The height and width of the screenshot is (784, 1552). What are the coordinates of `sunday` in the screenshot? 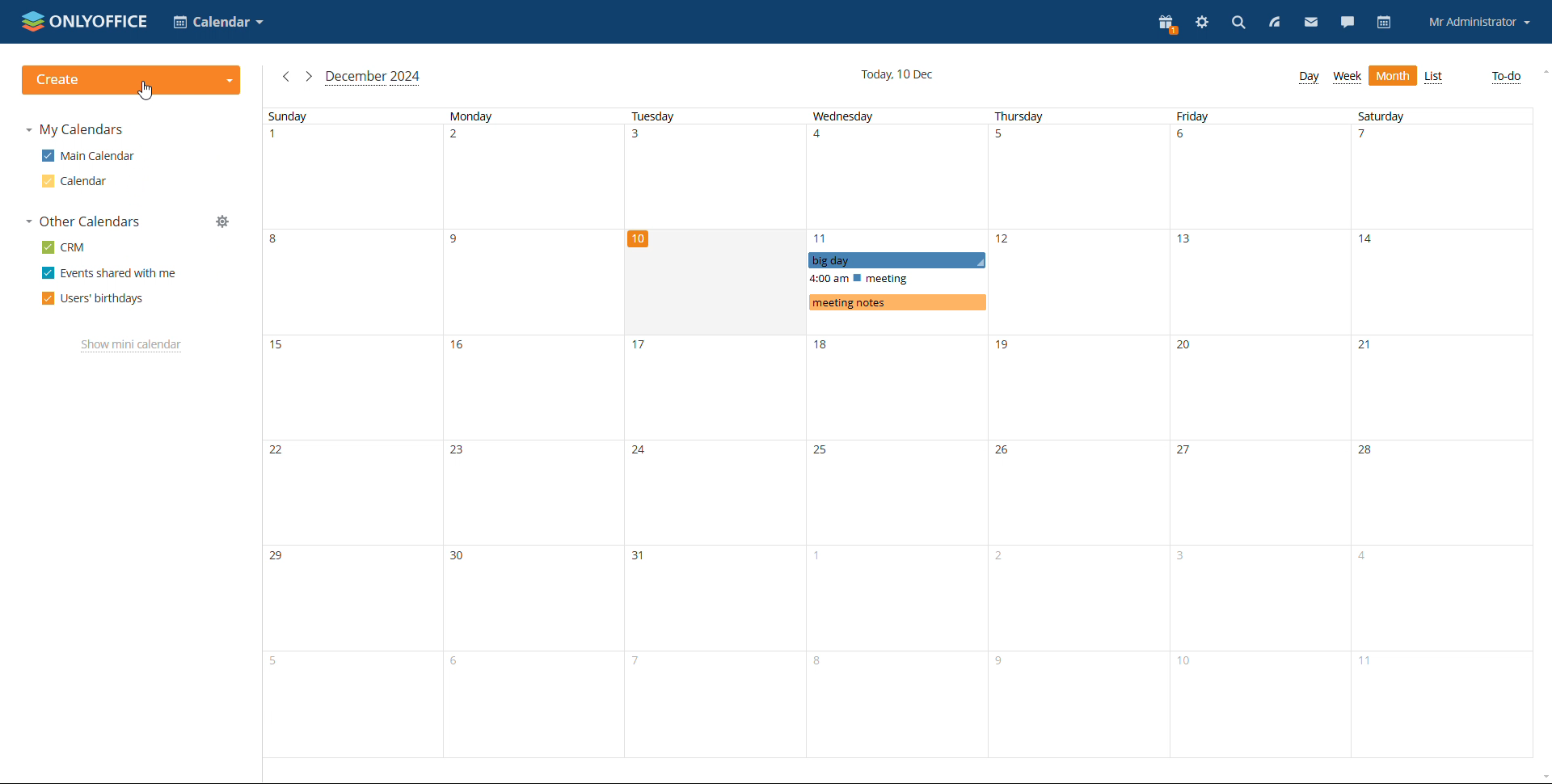 It's located at (352, 432).